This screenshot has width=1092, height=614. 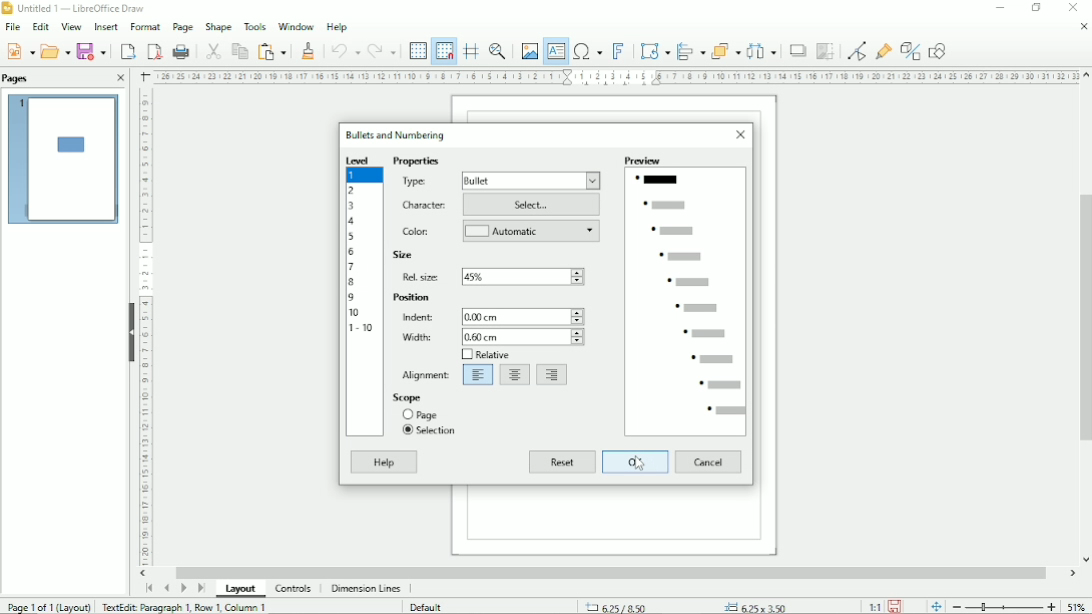 I want to click on Cut, so click(x=212, y=50).